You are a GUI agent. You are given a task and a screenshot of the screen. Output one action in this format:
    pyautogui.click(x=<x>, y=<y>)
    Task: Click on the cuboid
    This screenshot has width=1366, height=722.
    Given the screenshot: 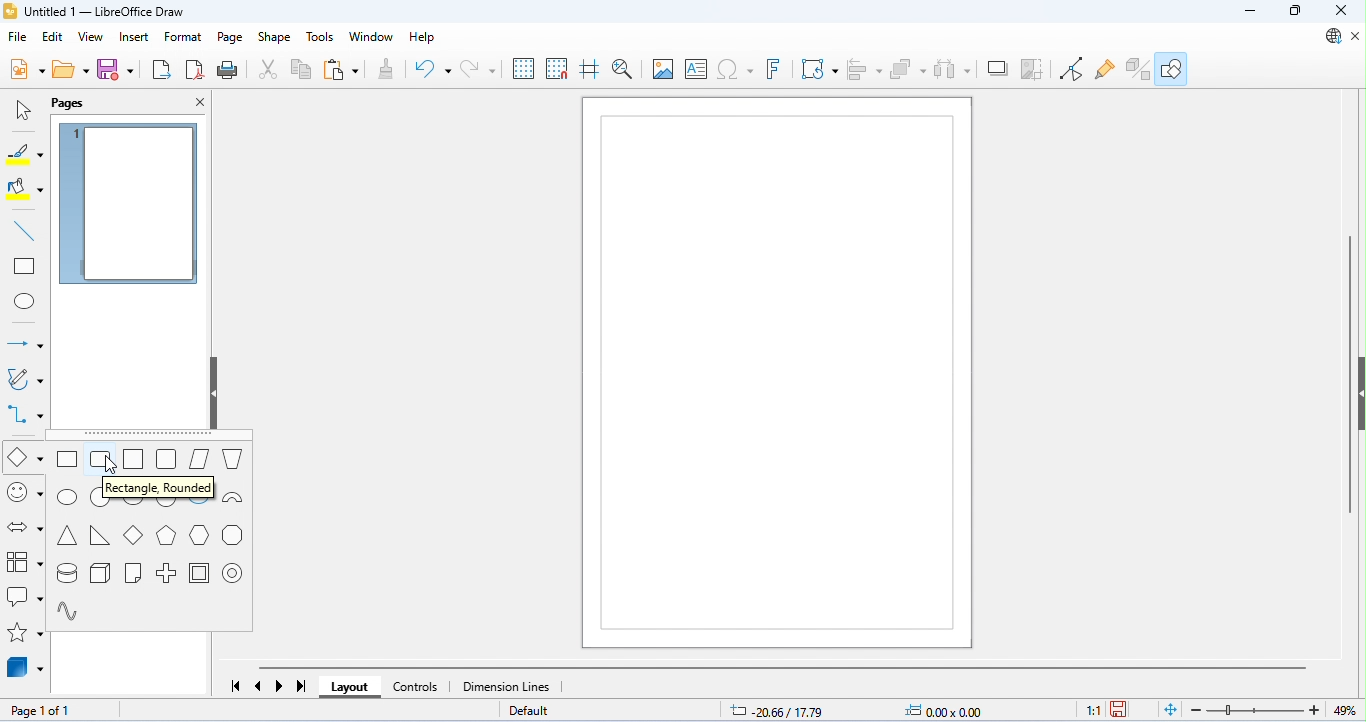 What is the action you would take?
    pyautogui.click(x=100, y=573)
    